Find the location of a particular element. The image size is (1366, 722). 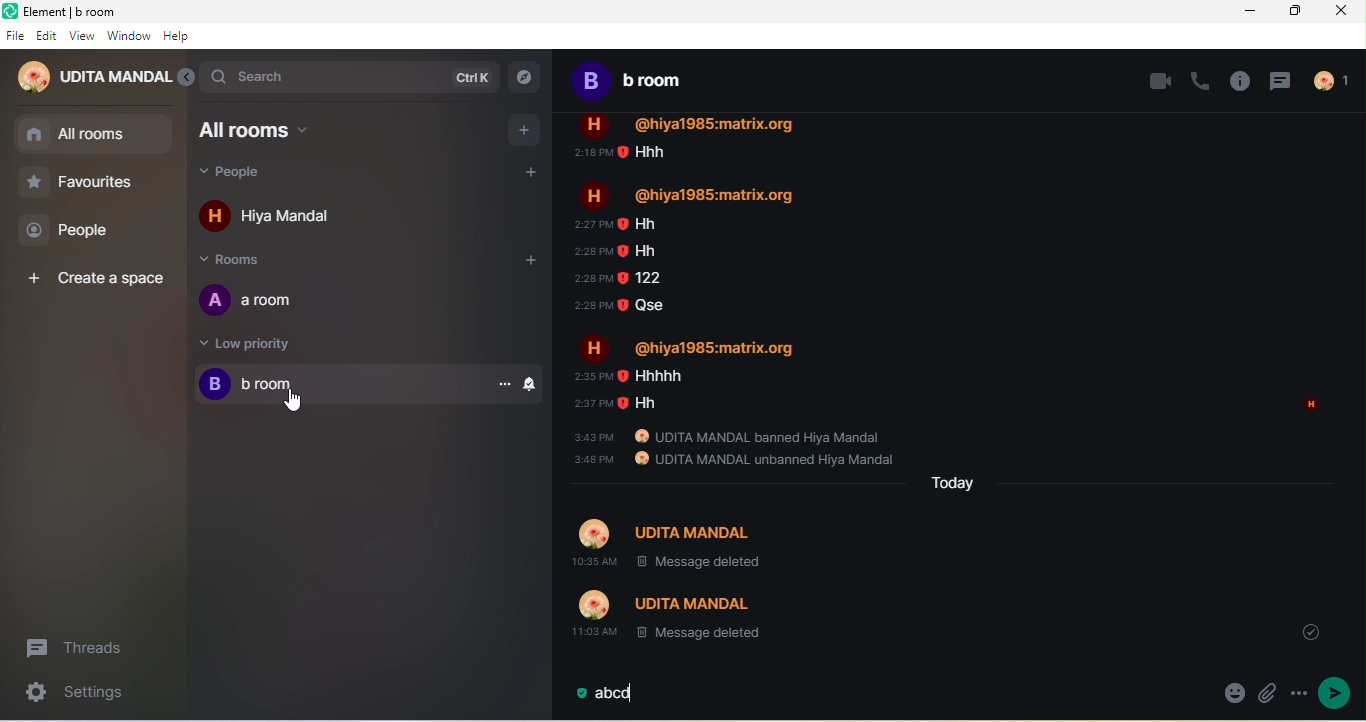

close is located at coordinates (1345, 13).